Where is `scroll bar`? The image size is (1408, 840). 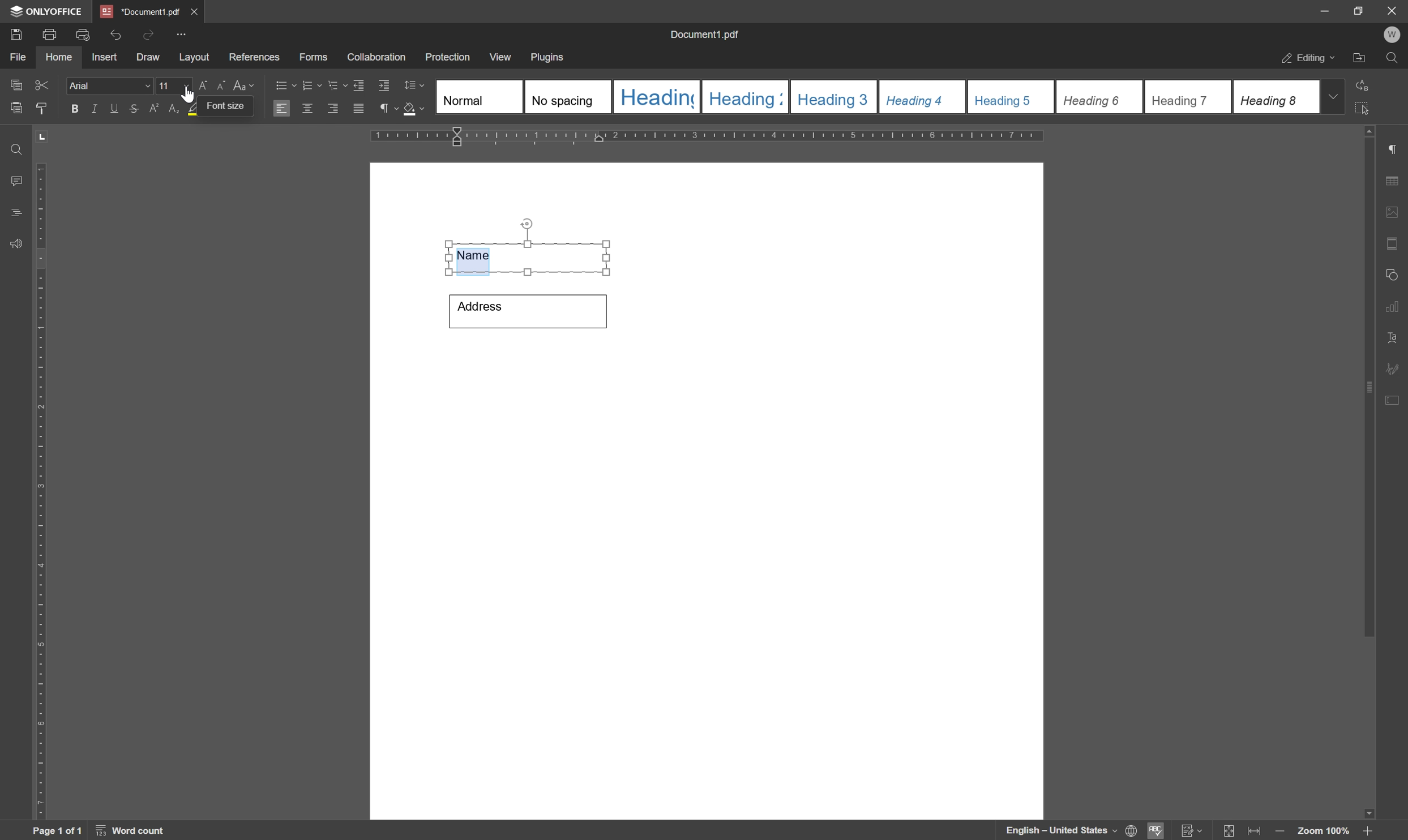 scroll bar is located at coordinates (1370, 380).